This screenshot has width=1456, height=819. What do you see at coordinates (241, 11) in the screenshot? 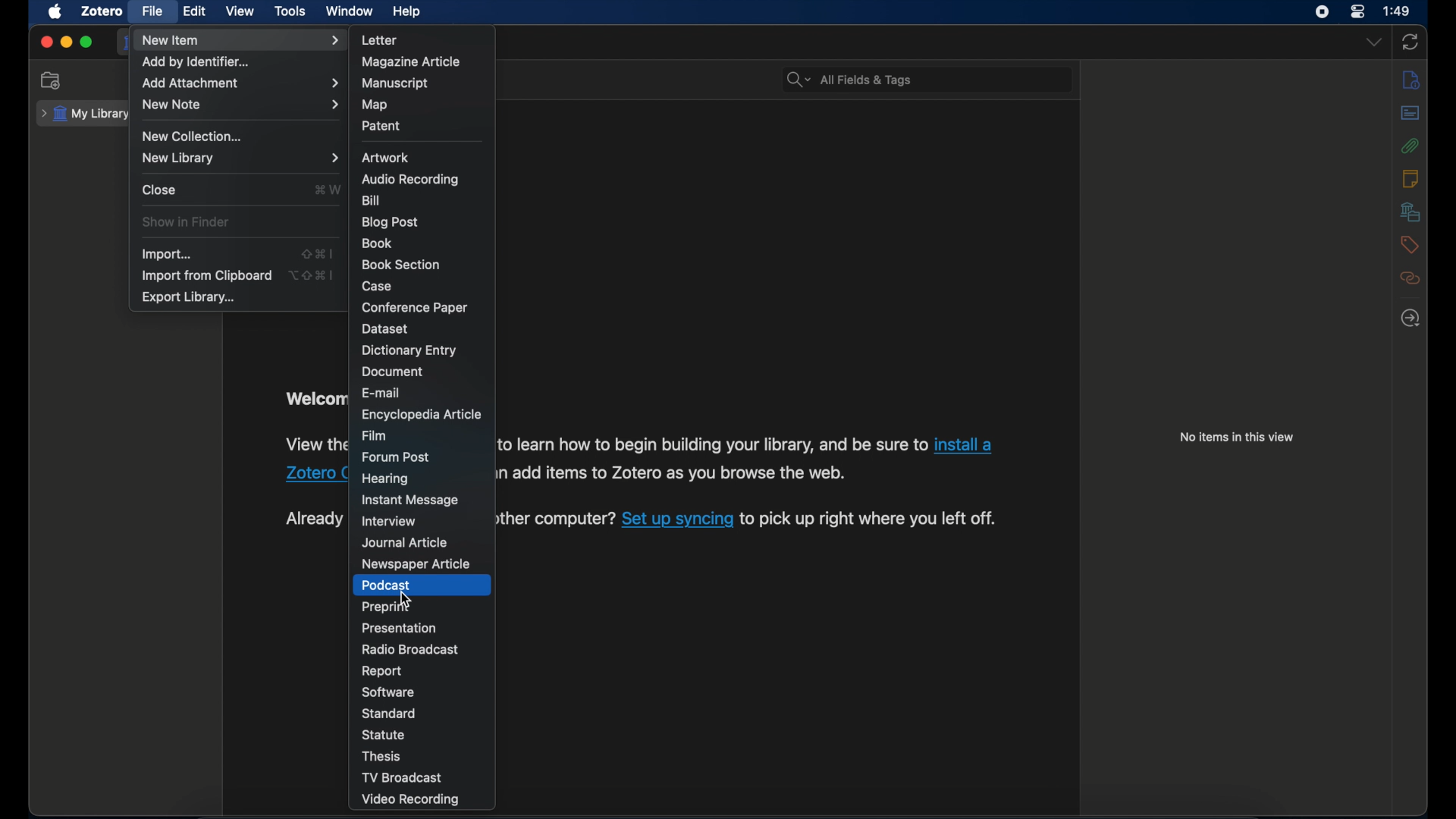
I see `view` at bounding box center [241, 11].